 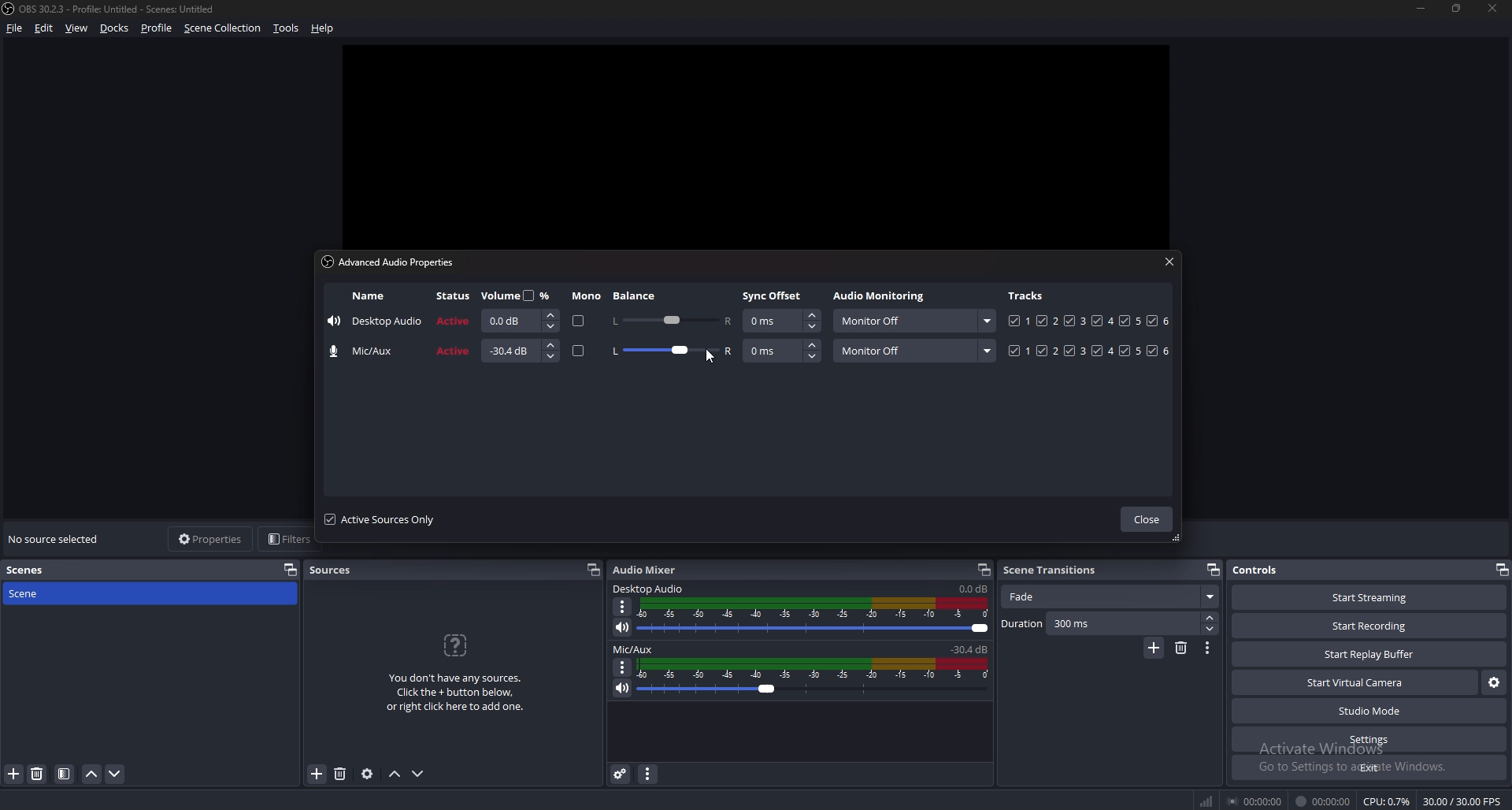 What do you see at coordinates (159, 28) in the screenshot?
I see `profile` at bounding box center [159, 28].